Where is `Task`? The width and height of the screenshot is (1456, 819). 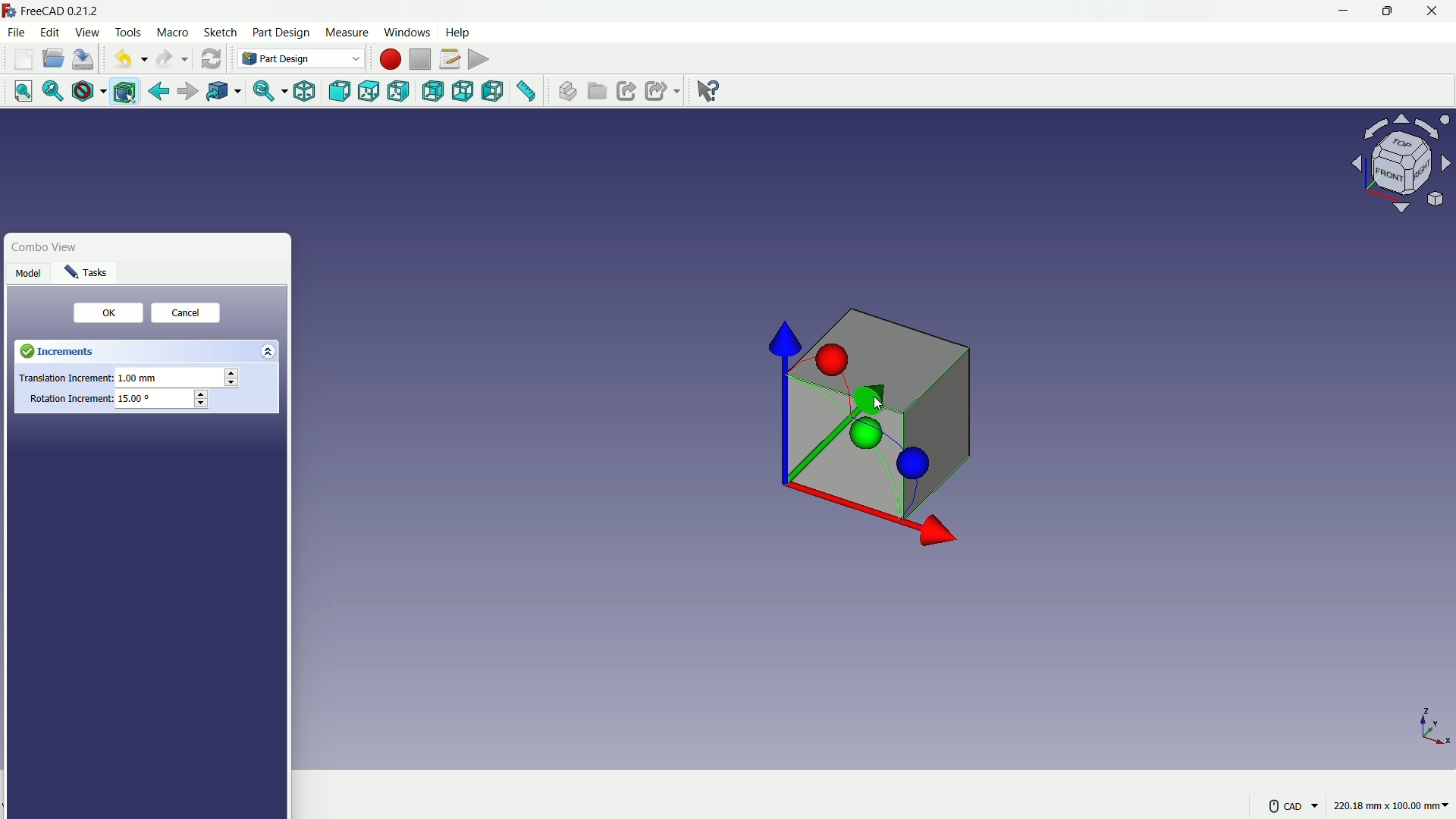
Task is located at coordinates (86, 271).